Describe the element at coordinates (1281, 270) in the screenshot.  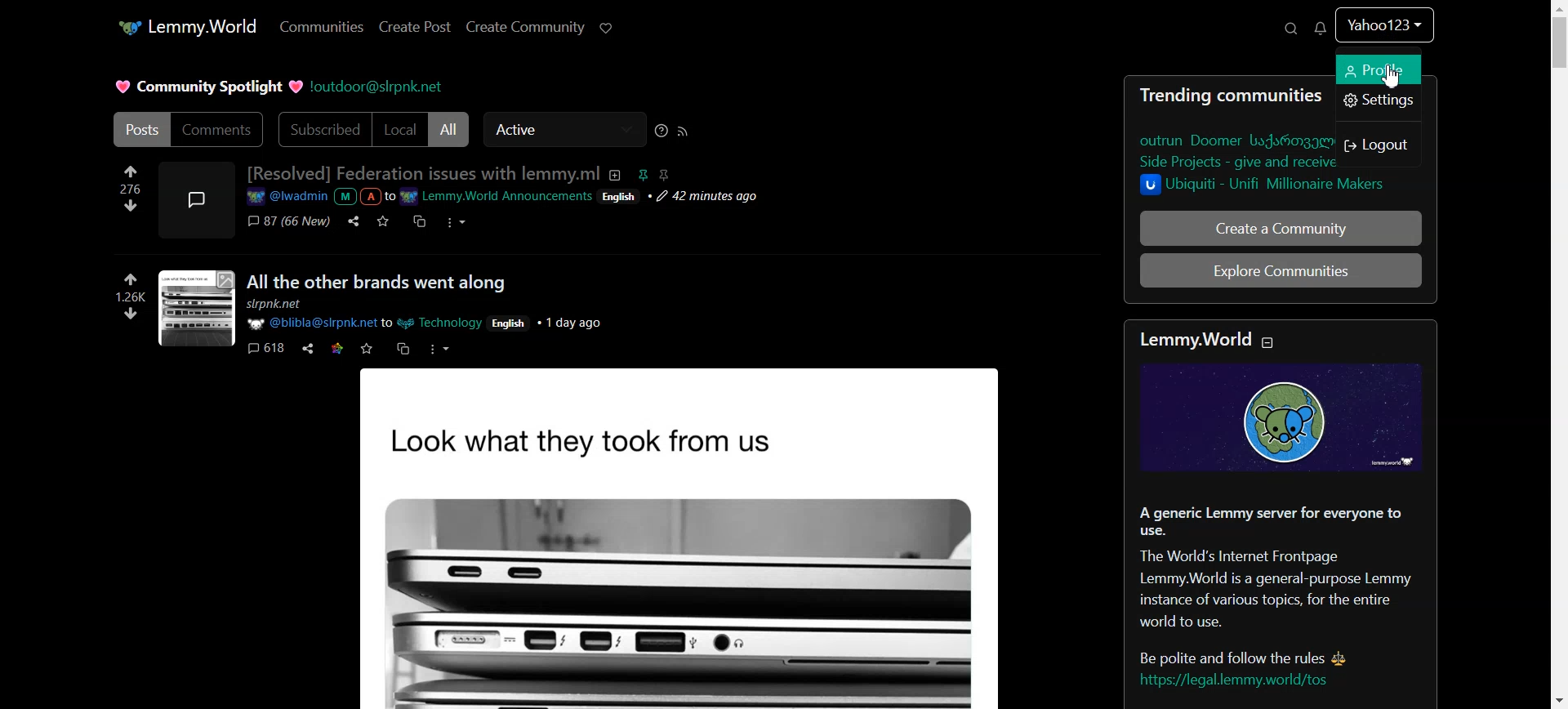
I see `Explore Communities` at that location.